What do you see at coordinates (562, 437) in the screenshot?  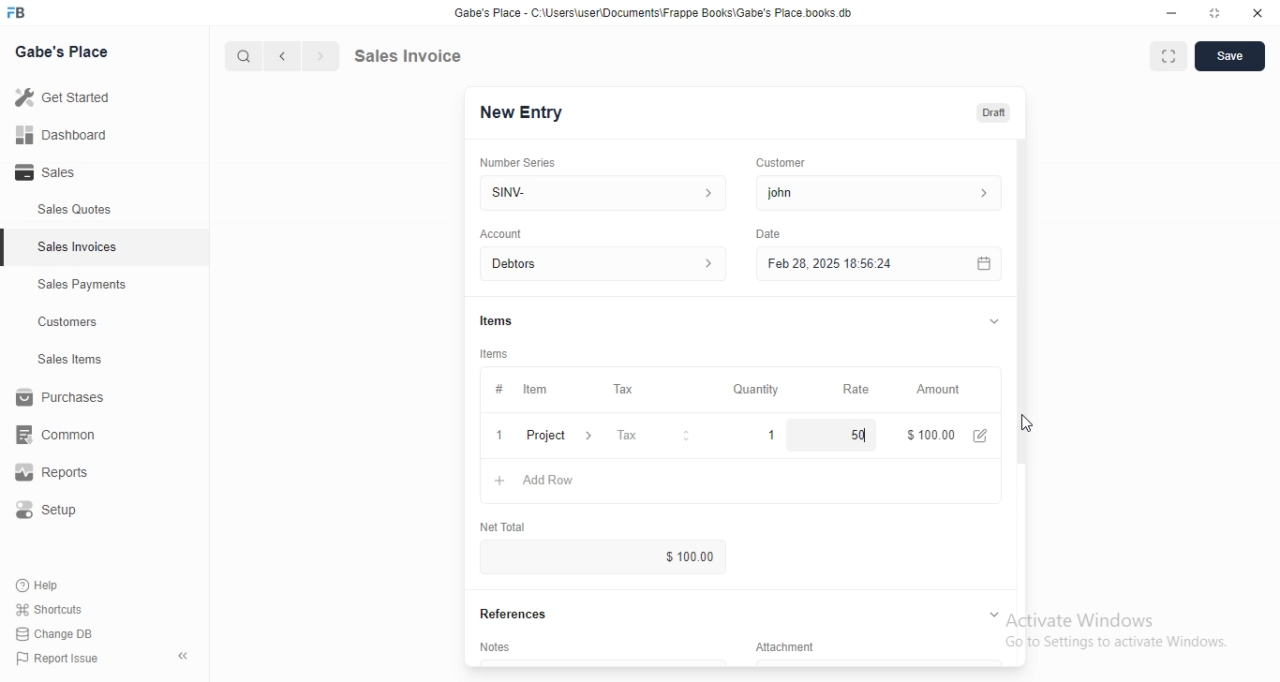 I see `Project` at bounding box center [562, 437].